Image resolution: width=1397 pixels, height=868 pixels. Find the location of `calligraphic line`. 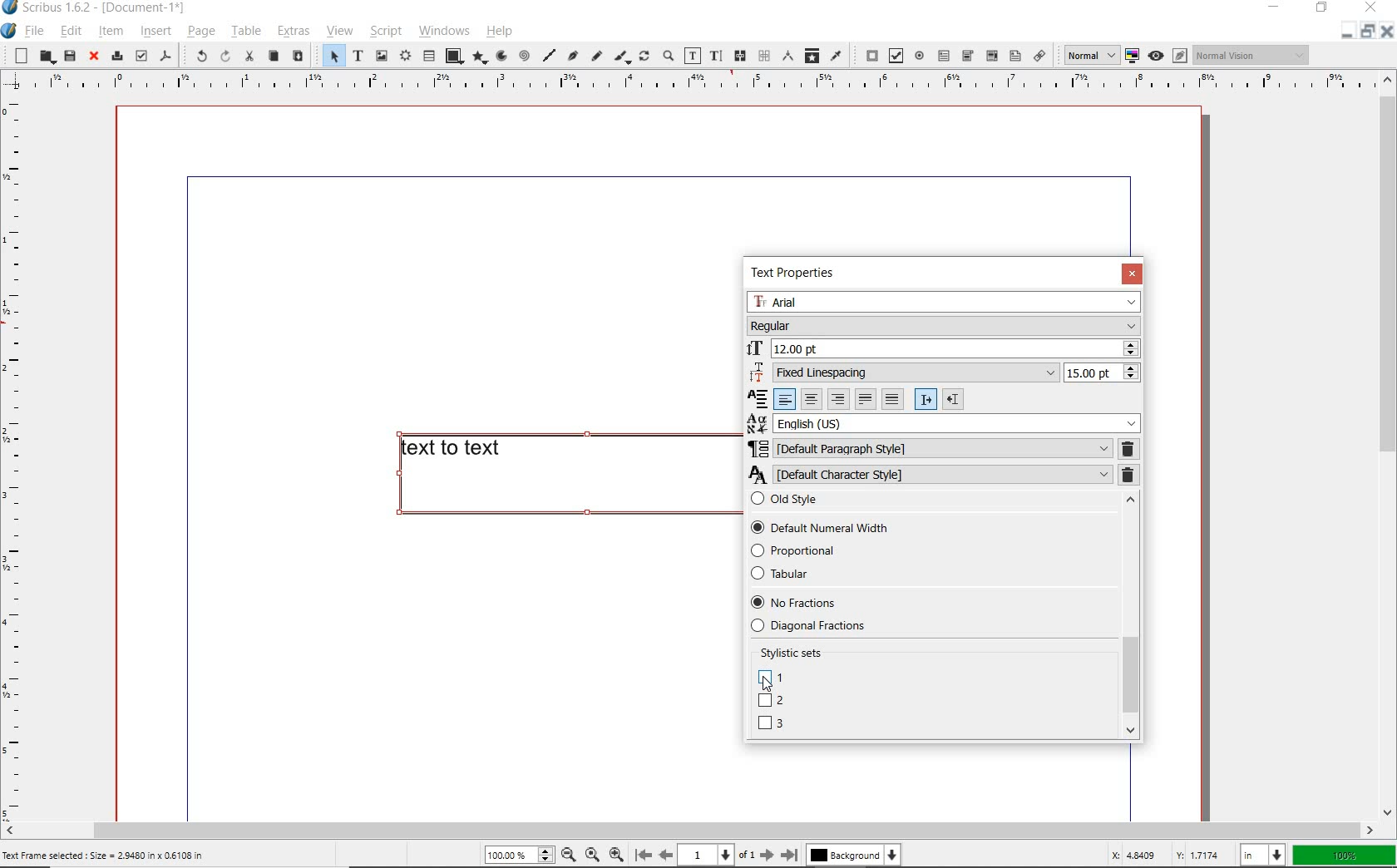

calligraphic line is located at coordinates (622, 57).